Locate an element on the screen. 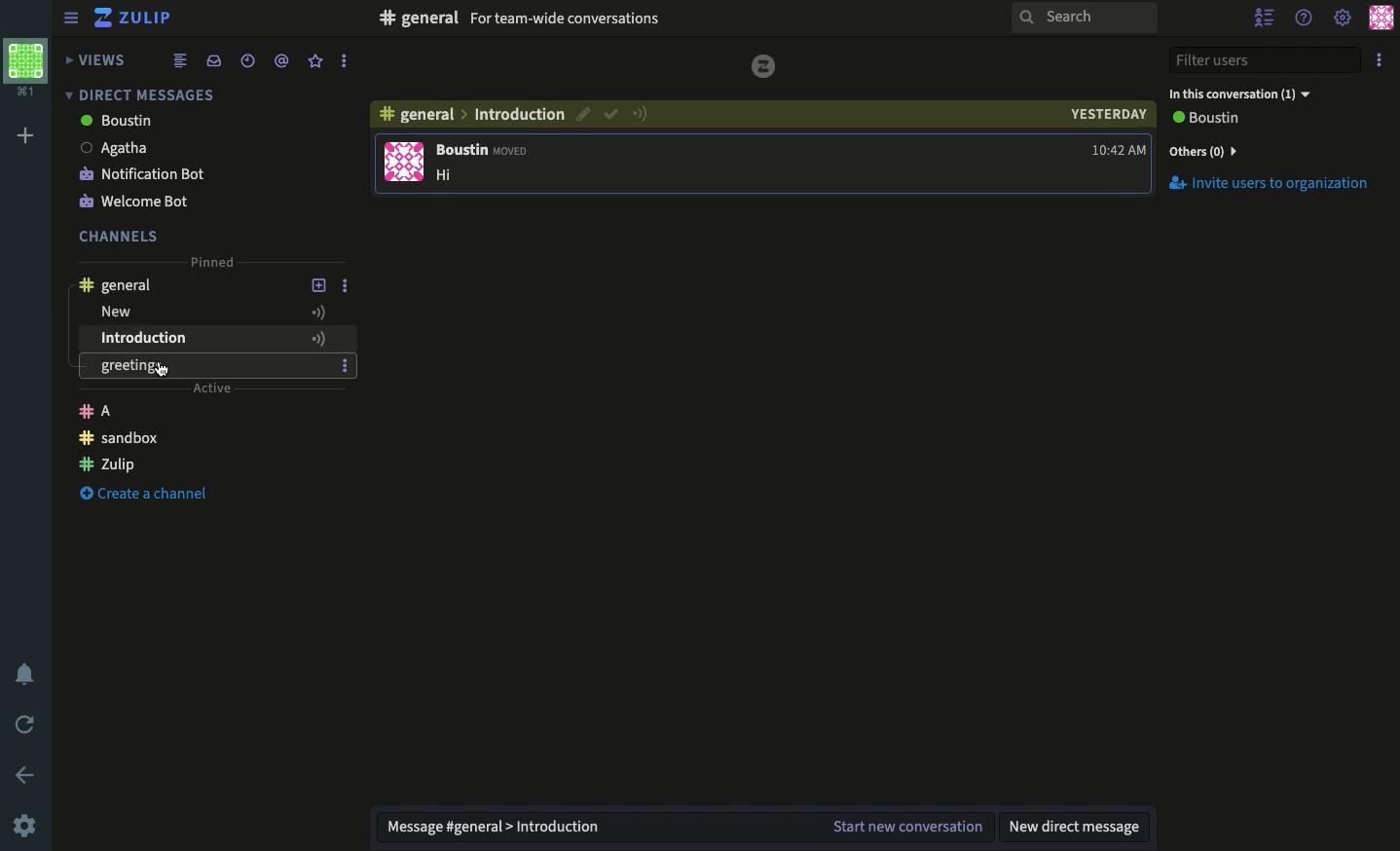 The width and height of the screenshot is (1400, 851). Add is located at coordinates (26, 136).